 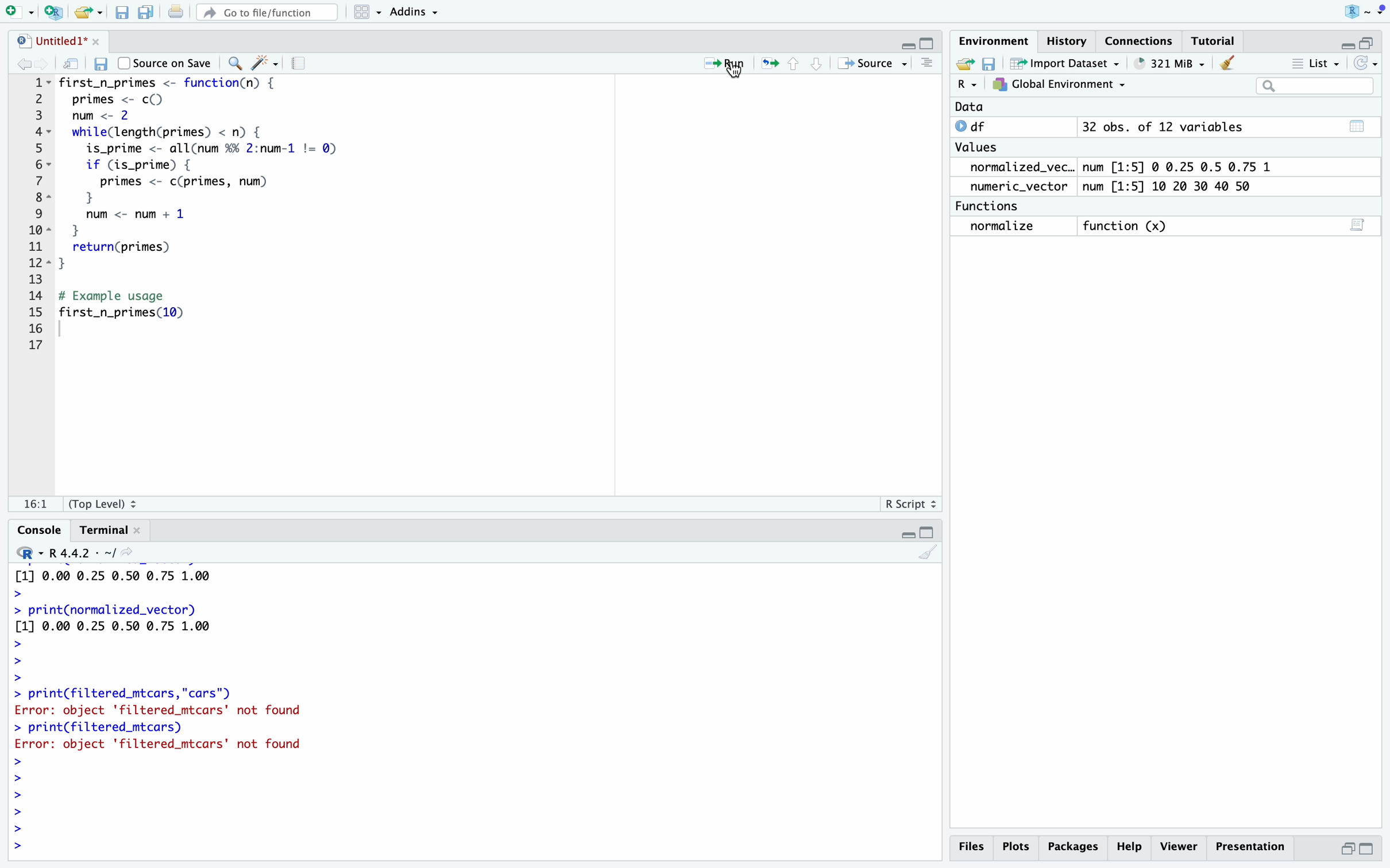 What do you see at coordinates (165, 61) in the screenshot?
I see `Source on Save` at bounding box center [165, 61].